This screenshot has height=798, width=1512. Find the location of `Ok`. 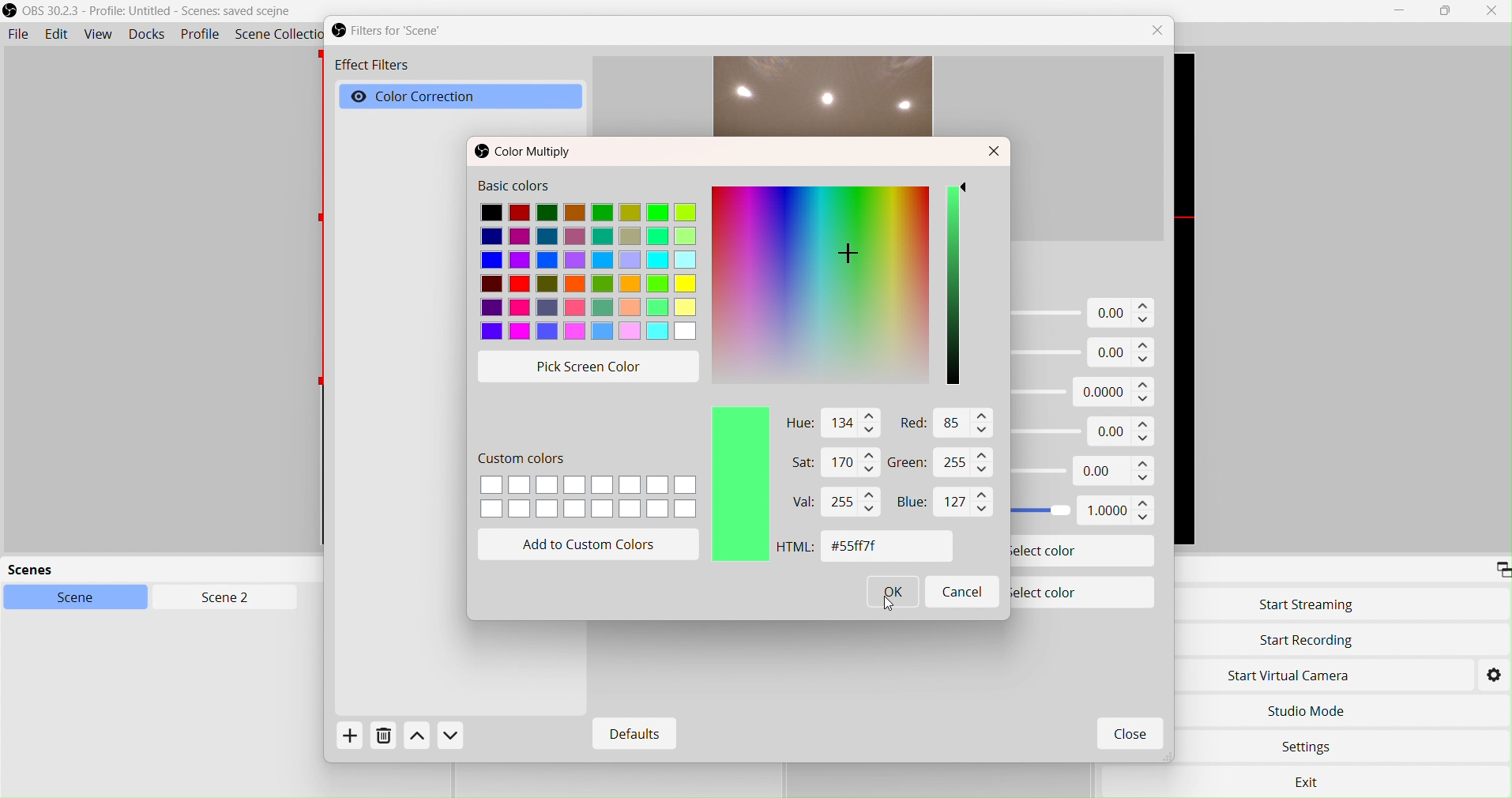

Ok is located at coordinates (894, 595).